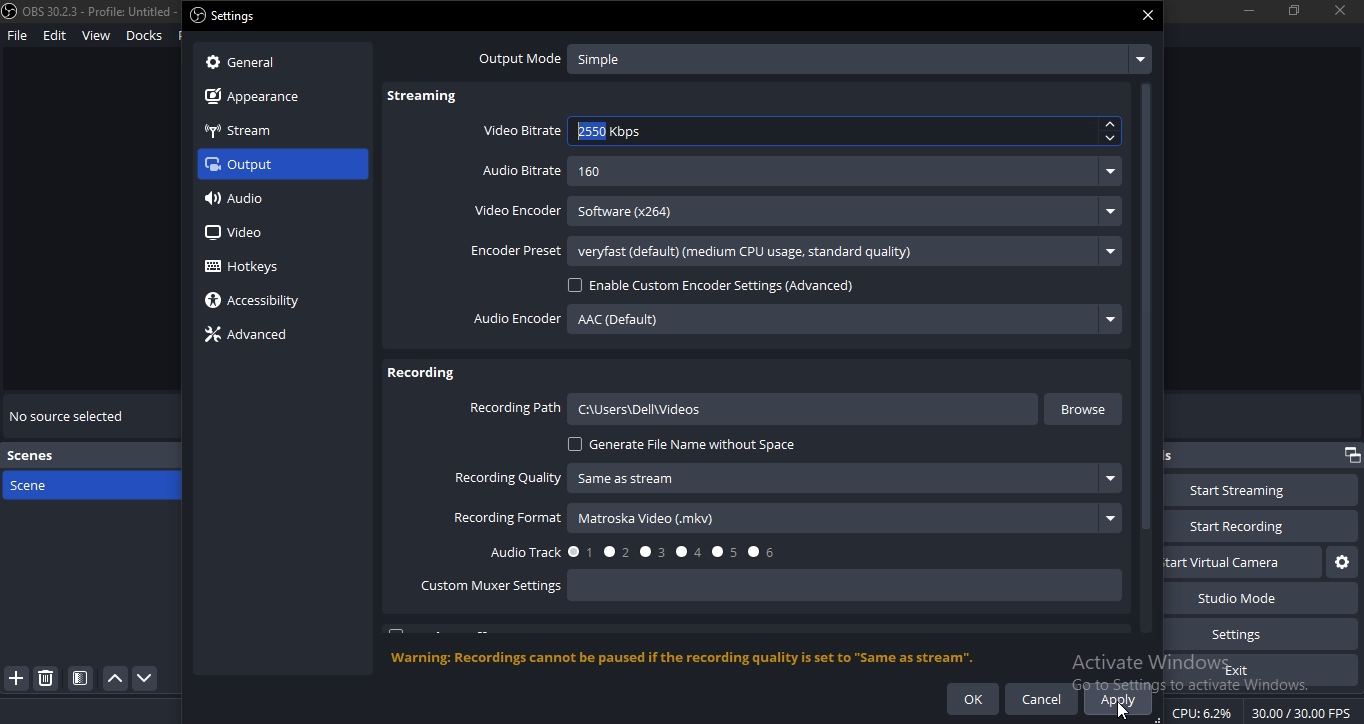 This screenshot has height=724, width=1364. Describe the element at coordinates (1247, 491) in the screenshot. I see `start streaming` at that location.